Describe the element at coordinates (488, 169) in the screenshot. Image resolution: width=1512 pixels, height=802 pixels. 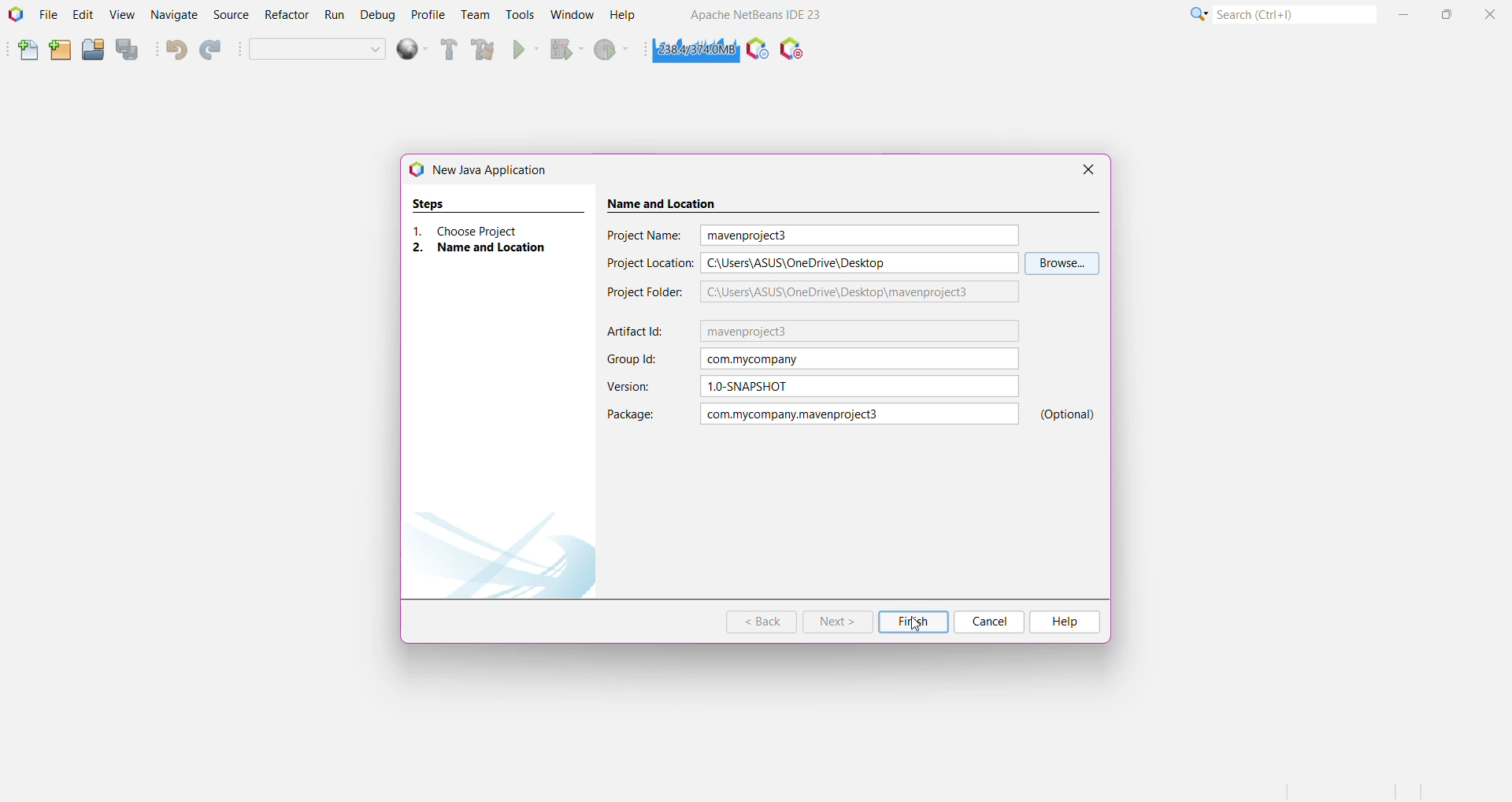
I see `New Java Application` at that location.